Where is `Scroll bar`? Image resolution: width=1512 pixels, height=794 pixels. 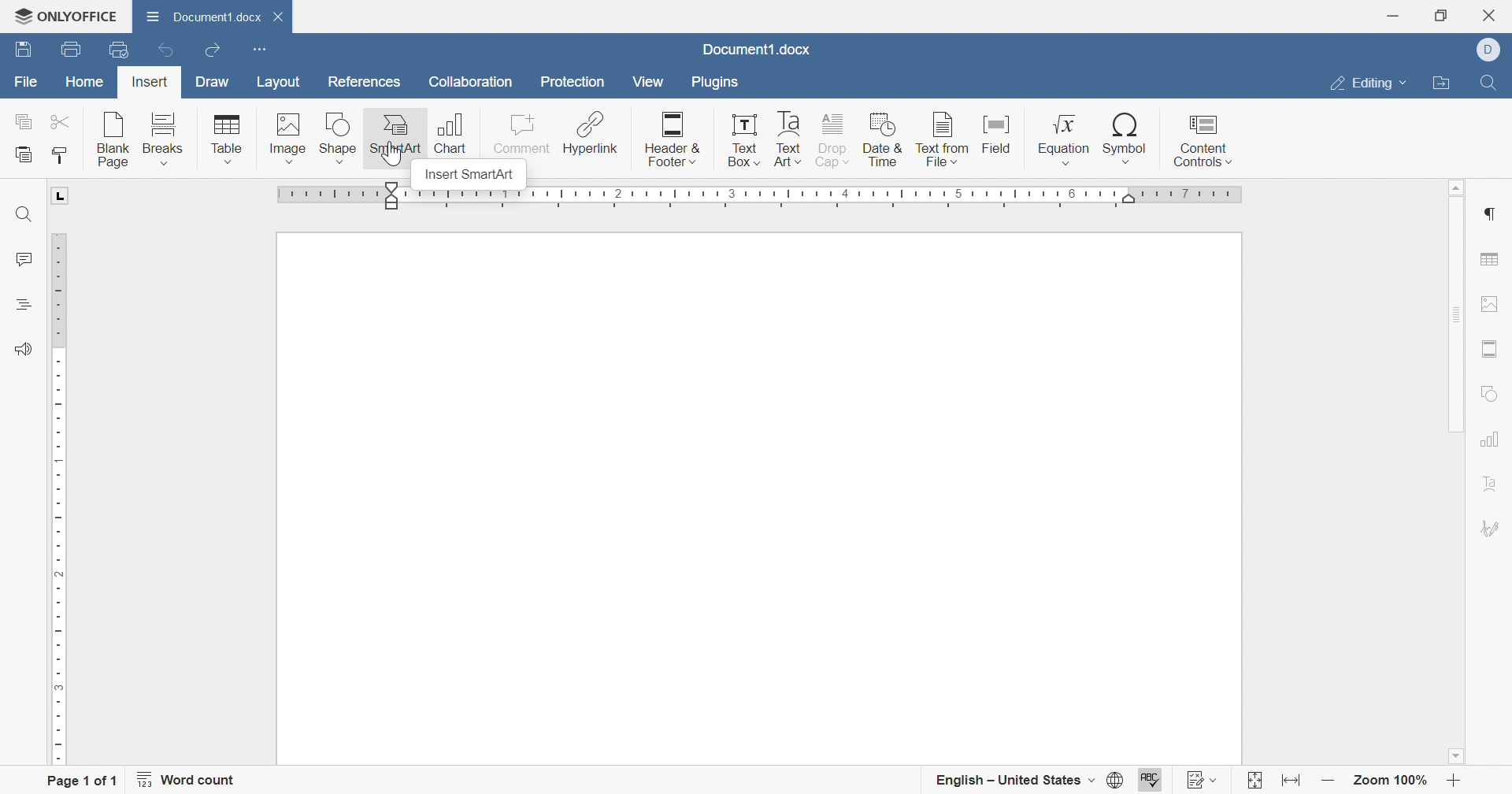
Scroll bar is located at coordinates (1462, 443).